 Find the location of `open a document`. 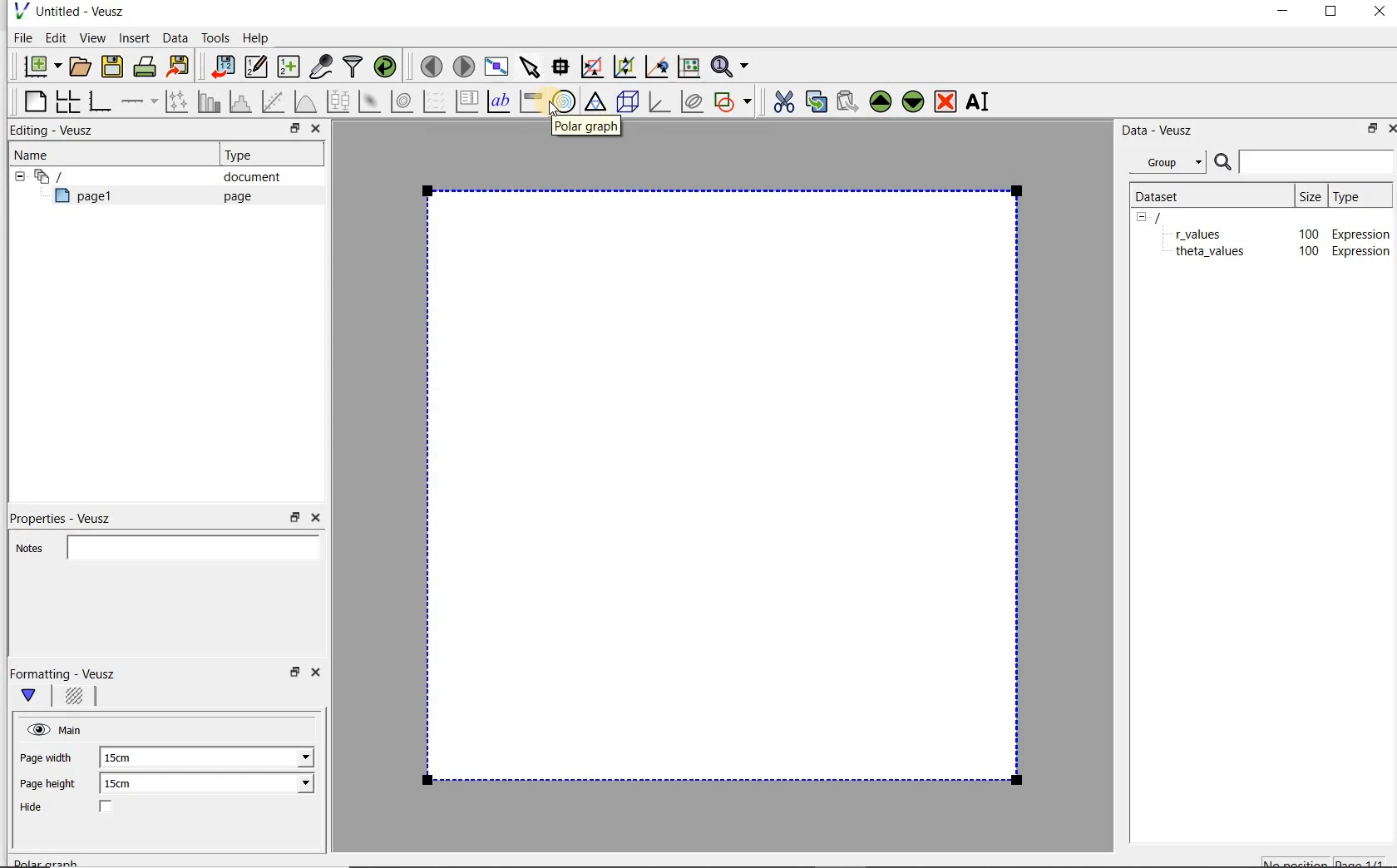

open a document is located at coordinates (82, 65).